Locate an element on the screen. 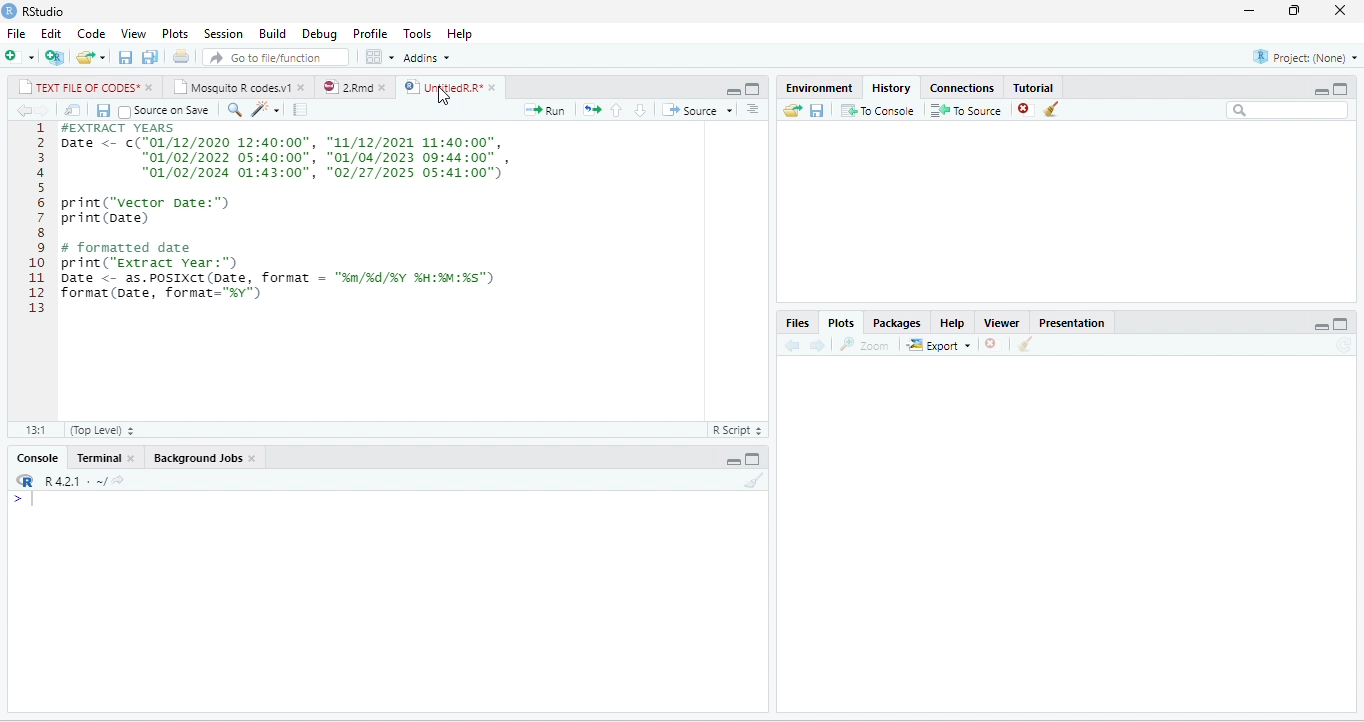 The height and width of the screenshot is (722, 1364). 2.Rmd is located at coordinates (346, 87).